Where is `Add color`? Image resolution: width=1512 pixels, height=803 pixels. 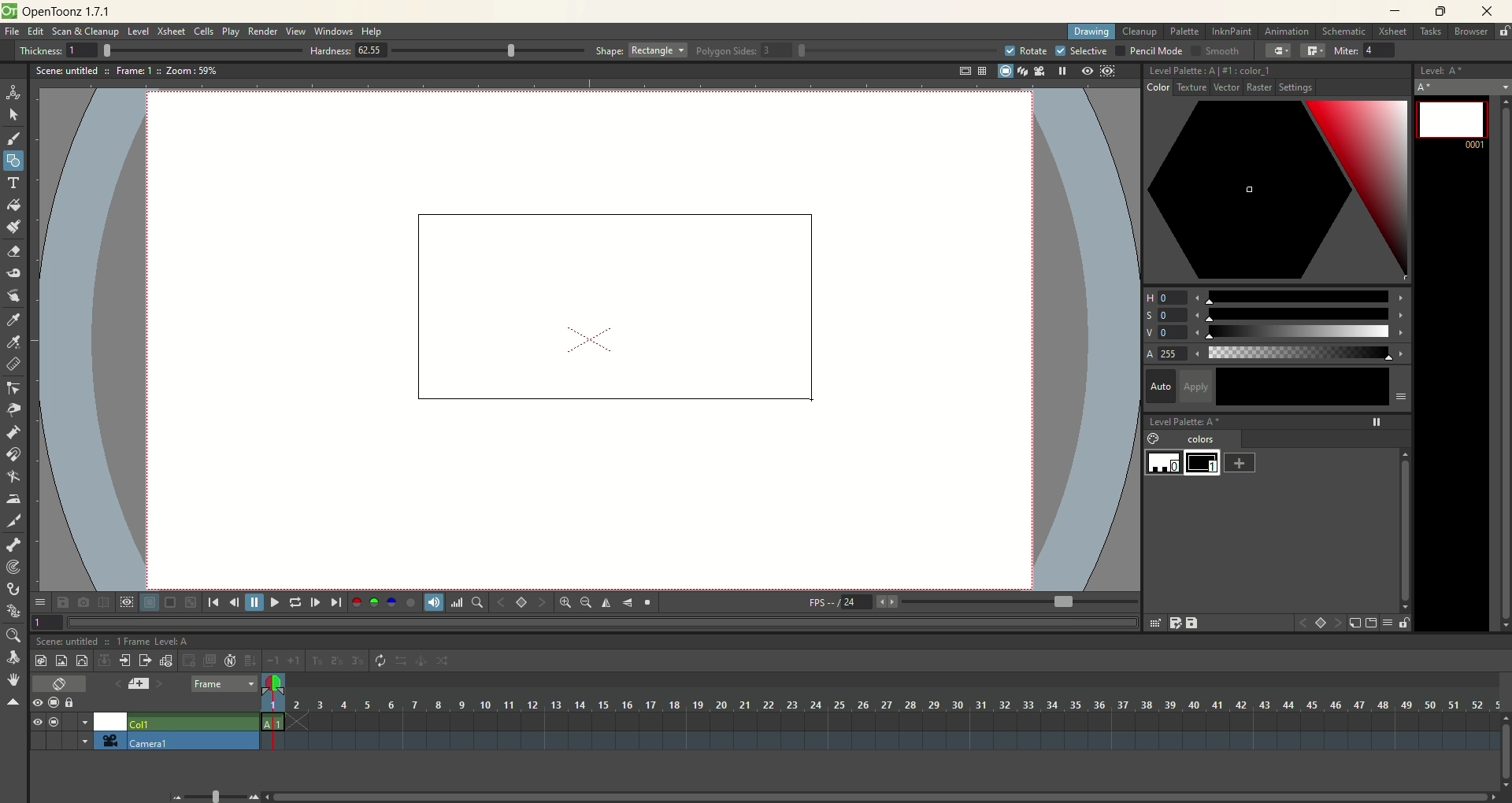 Add color is located at coordinates (1240, 462).